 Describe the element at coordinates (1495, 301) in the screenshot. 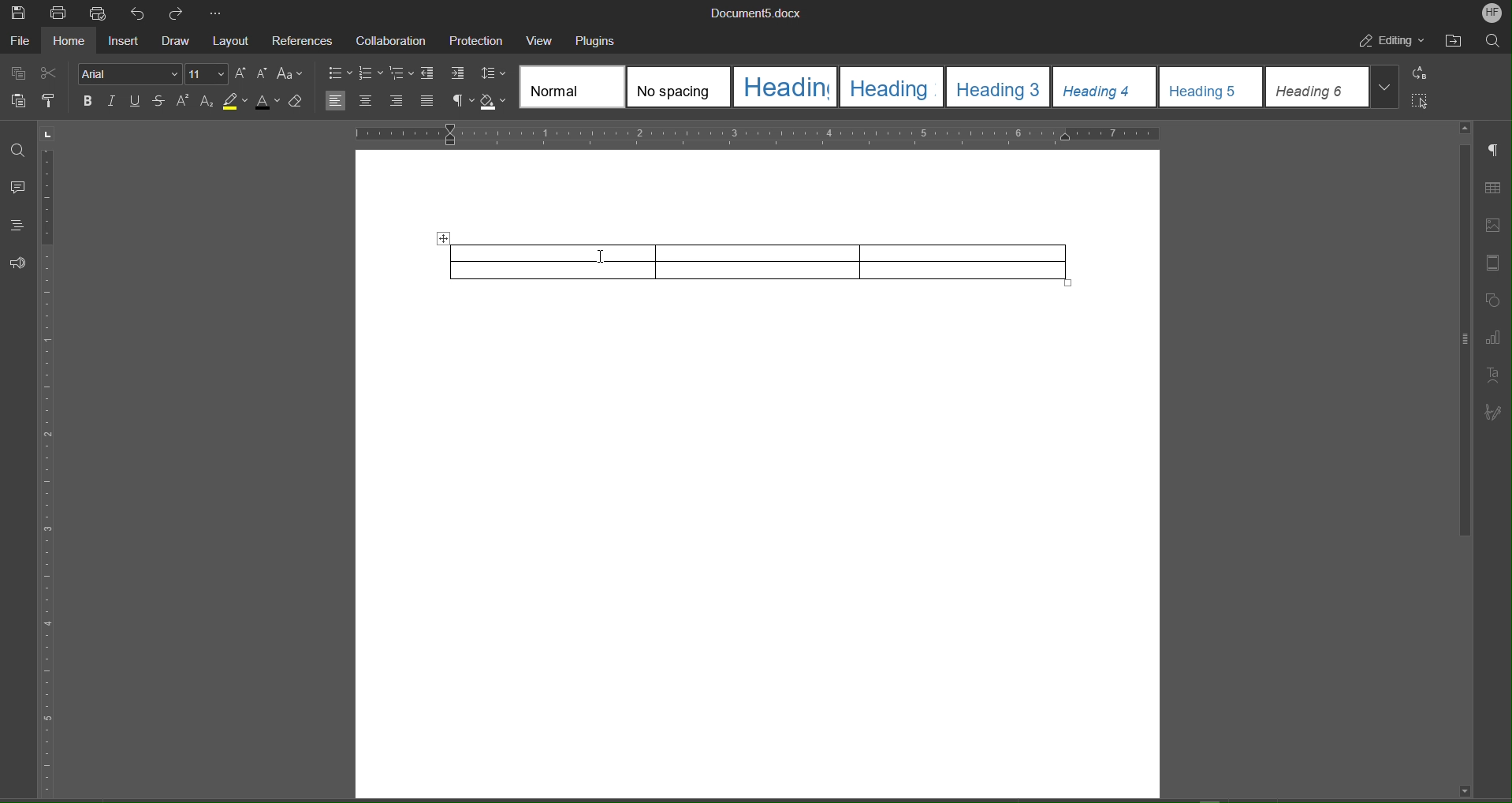

I see `Shape Settings` at that location.